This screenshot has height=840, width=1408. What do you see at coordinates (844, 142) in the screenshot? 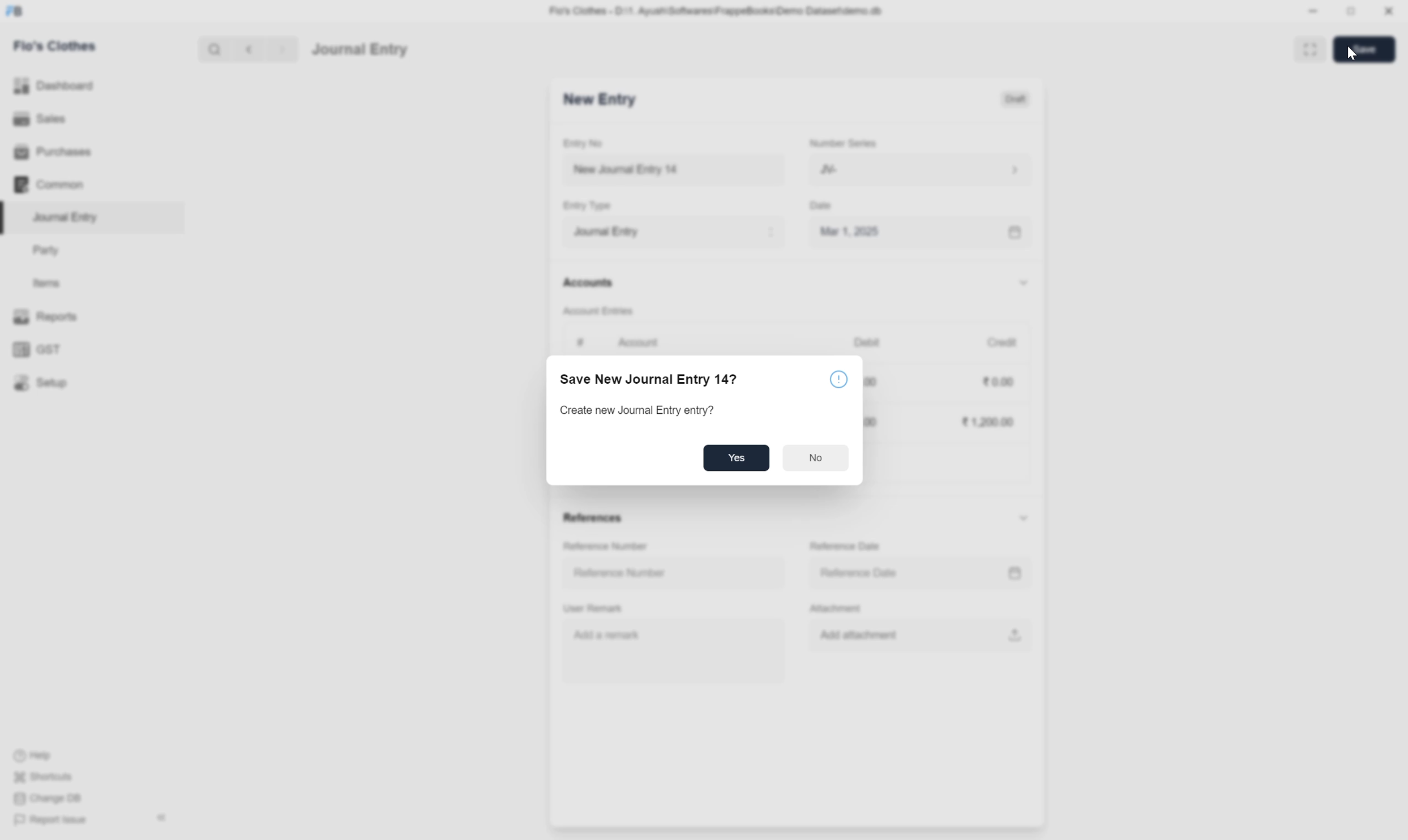
I see `Number Series` at bounding box center [844, 142].